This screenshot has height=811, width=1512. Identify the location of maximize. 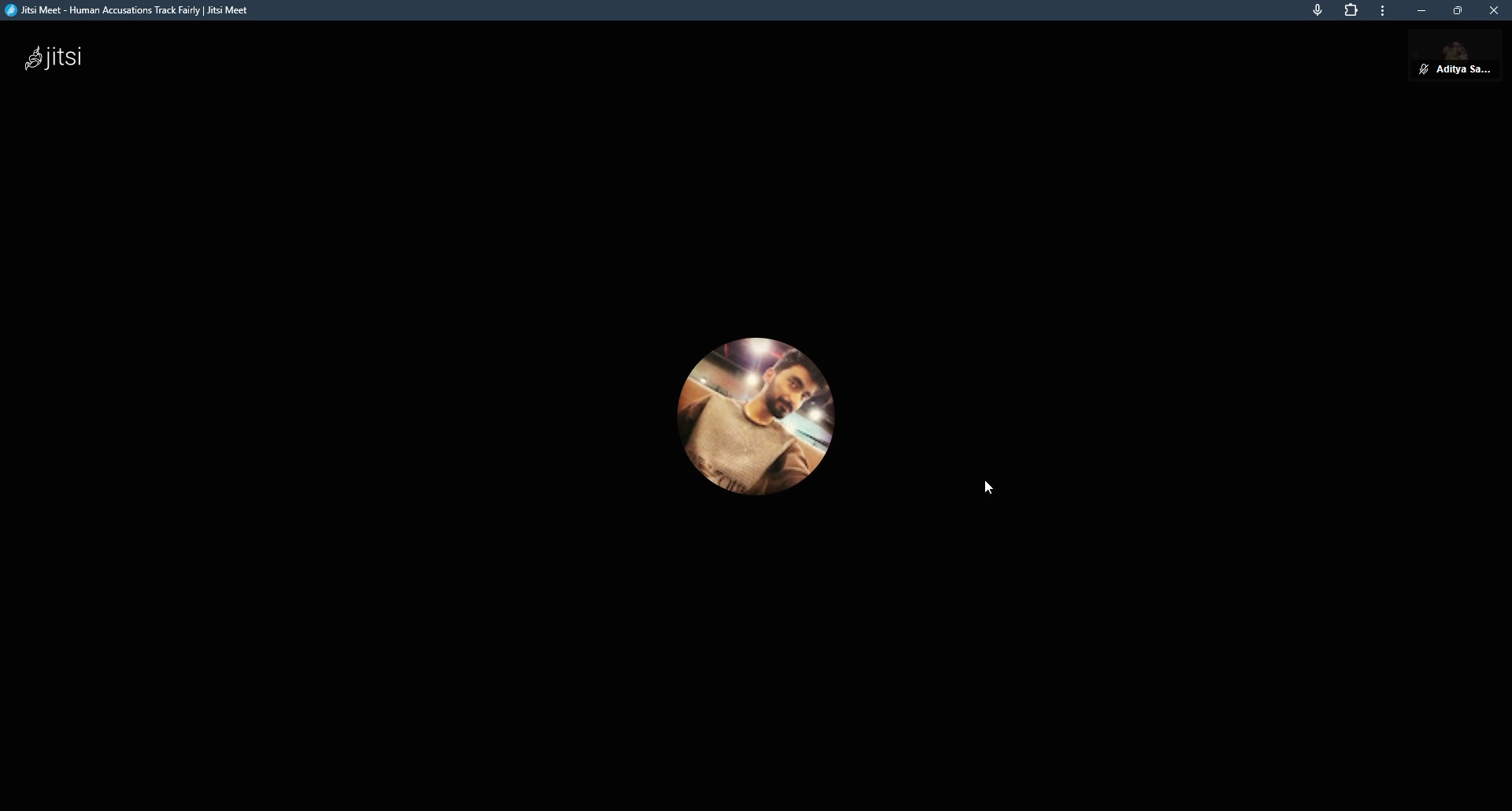
(1458, 10).